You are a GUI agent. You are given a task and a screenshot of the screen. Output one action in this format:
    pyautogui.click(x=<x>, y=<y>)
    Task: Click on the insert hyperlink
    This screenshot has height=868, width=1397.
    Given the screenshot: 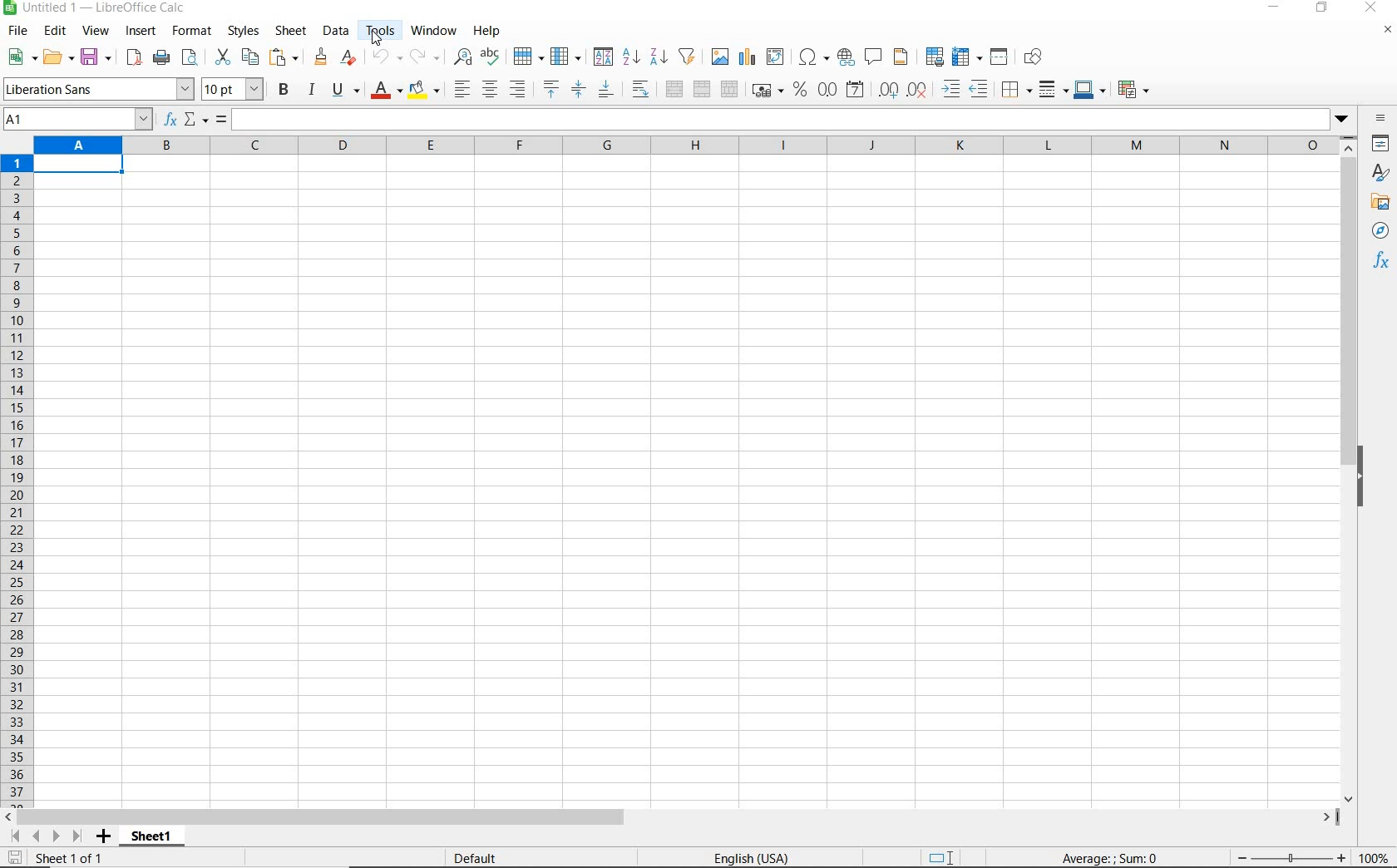 What is the action you would take?
    pyautogui.click(x=844, y=57)
    